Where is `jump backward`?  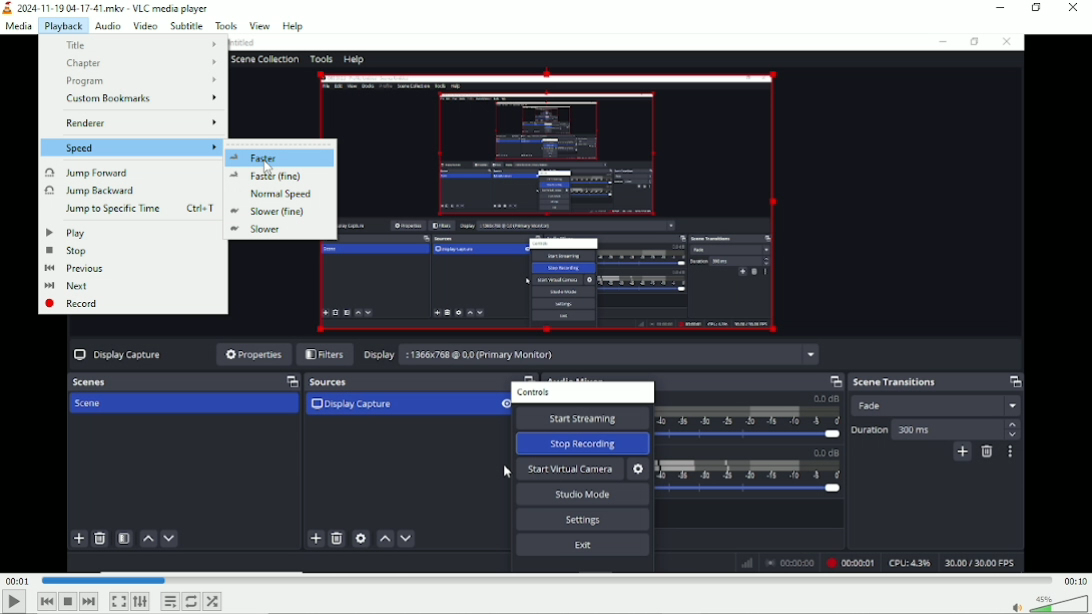 jump backward is located at coordinates (128, 191).